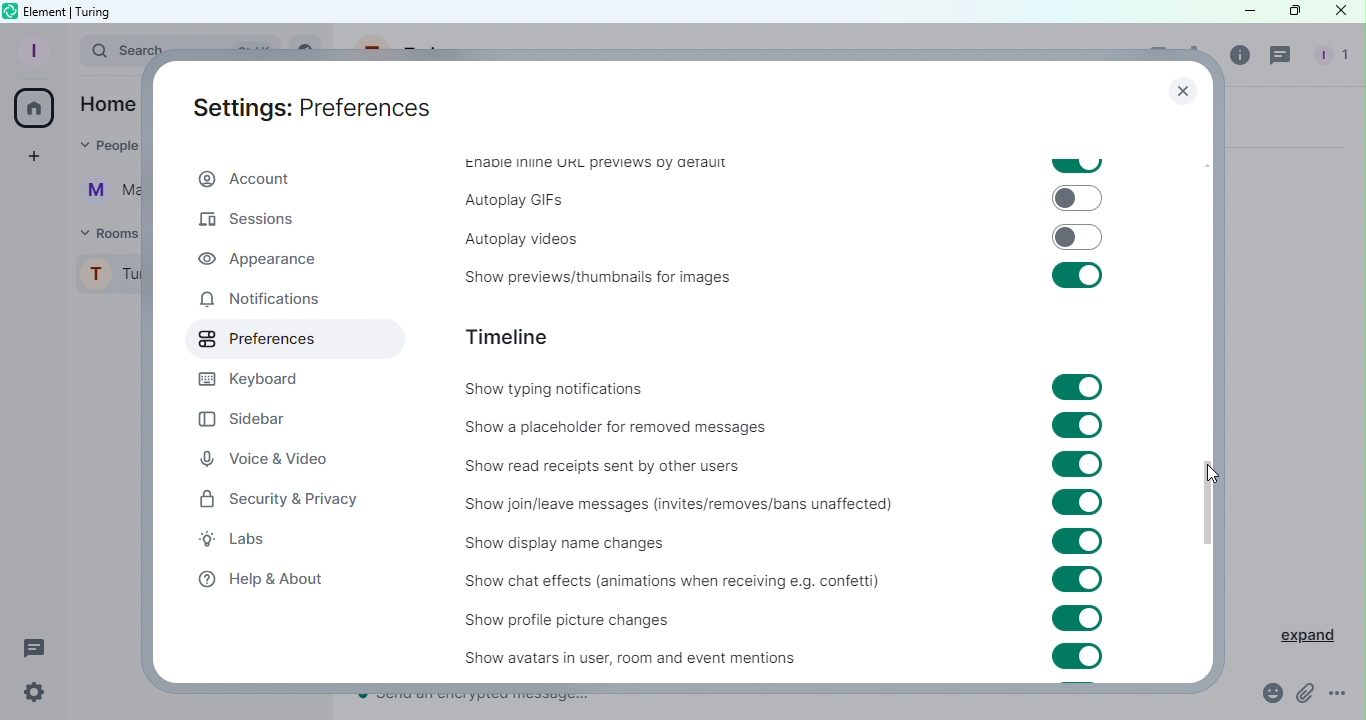  Describe the element at coordinates (104, 148) in the screenshot. I see `People` at that location.